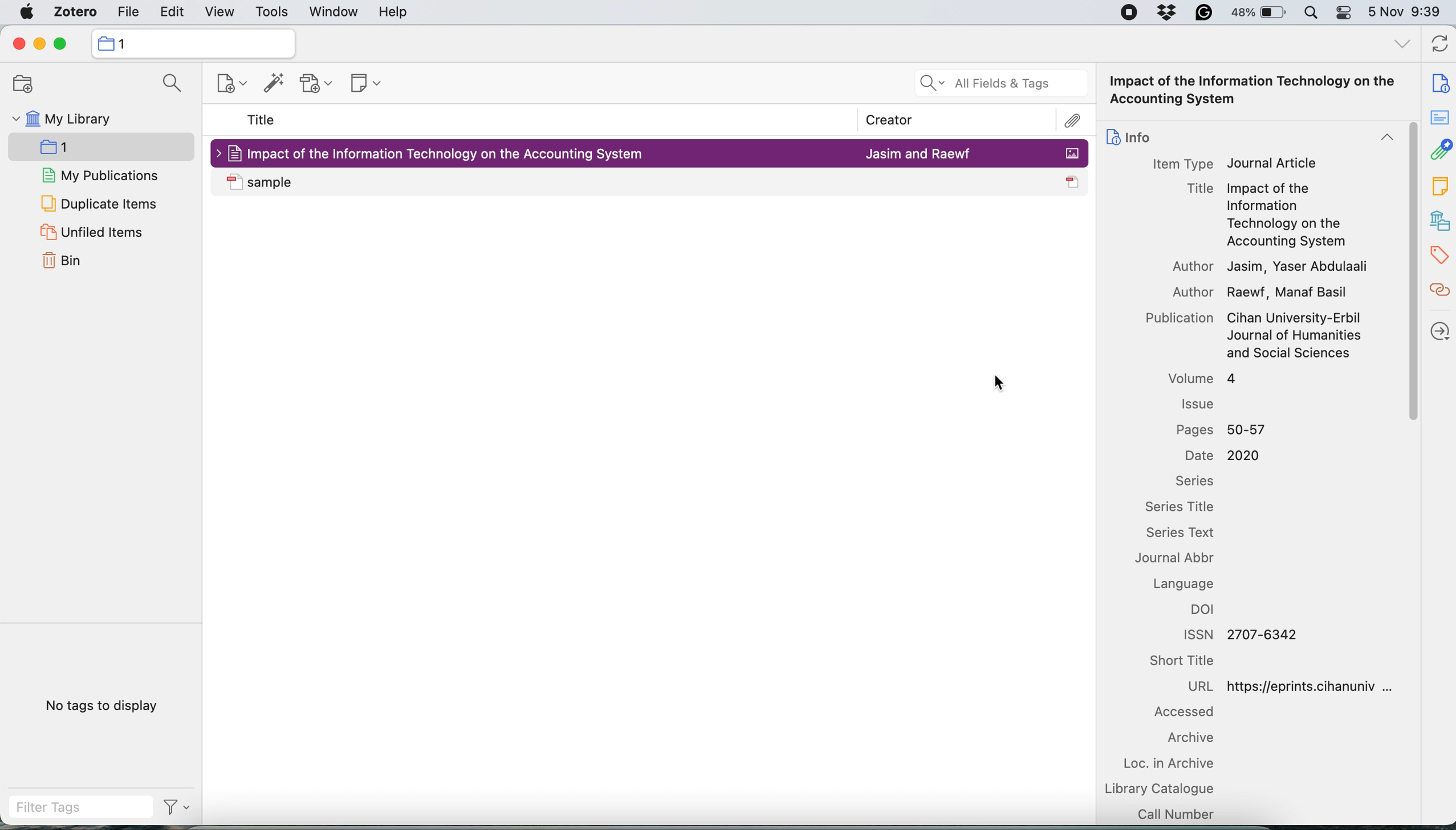 The width and height of the screenshot is (1456, 830). What do you see at coordinates (262, 119) in the screenshot?
I see `title` at bounding box center [262, 119].